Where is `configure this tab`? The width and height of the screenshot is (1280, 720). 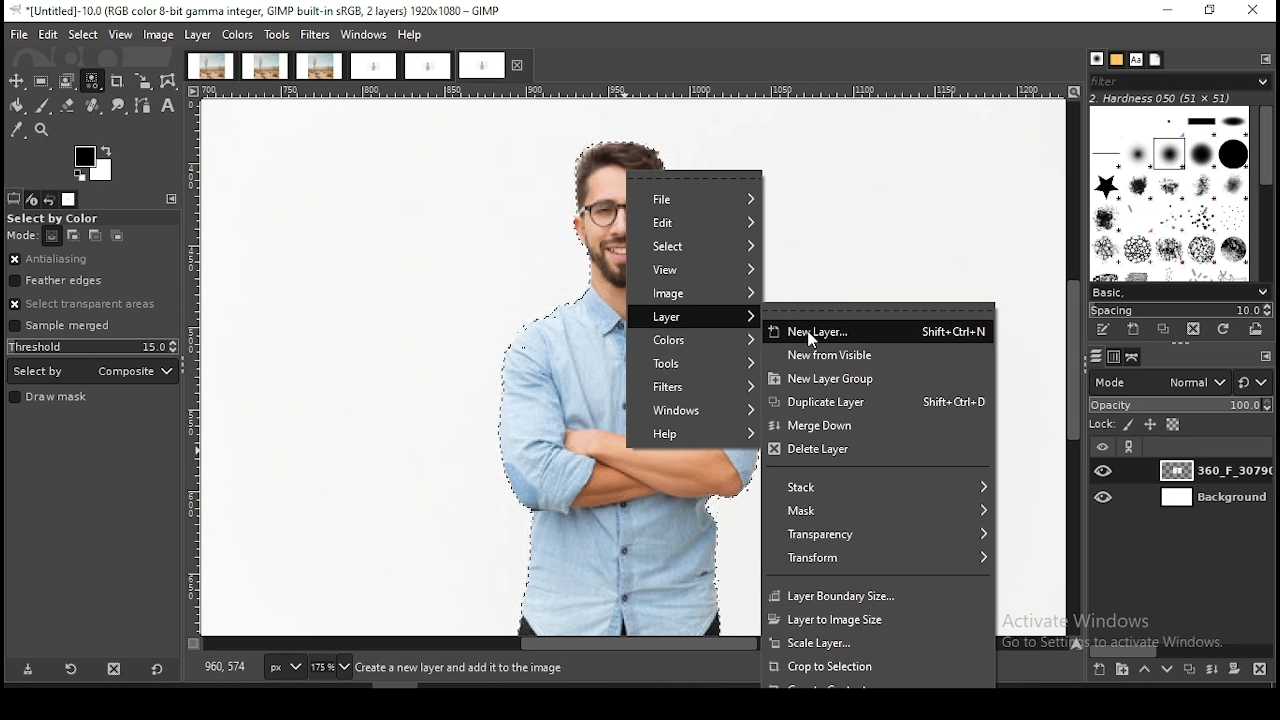
configure this tab is located at coordinates (1264, 356).